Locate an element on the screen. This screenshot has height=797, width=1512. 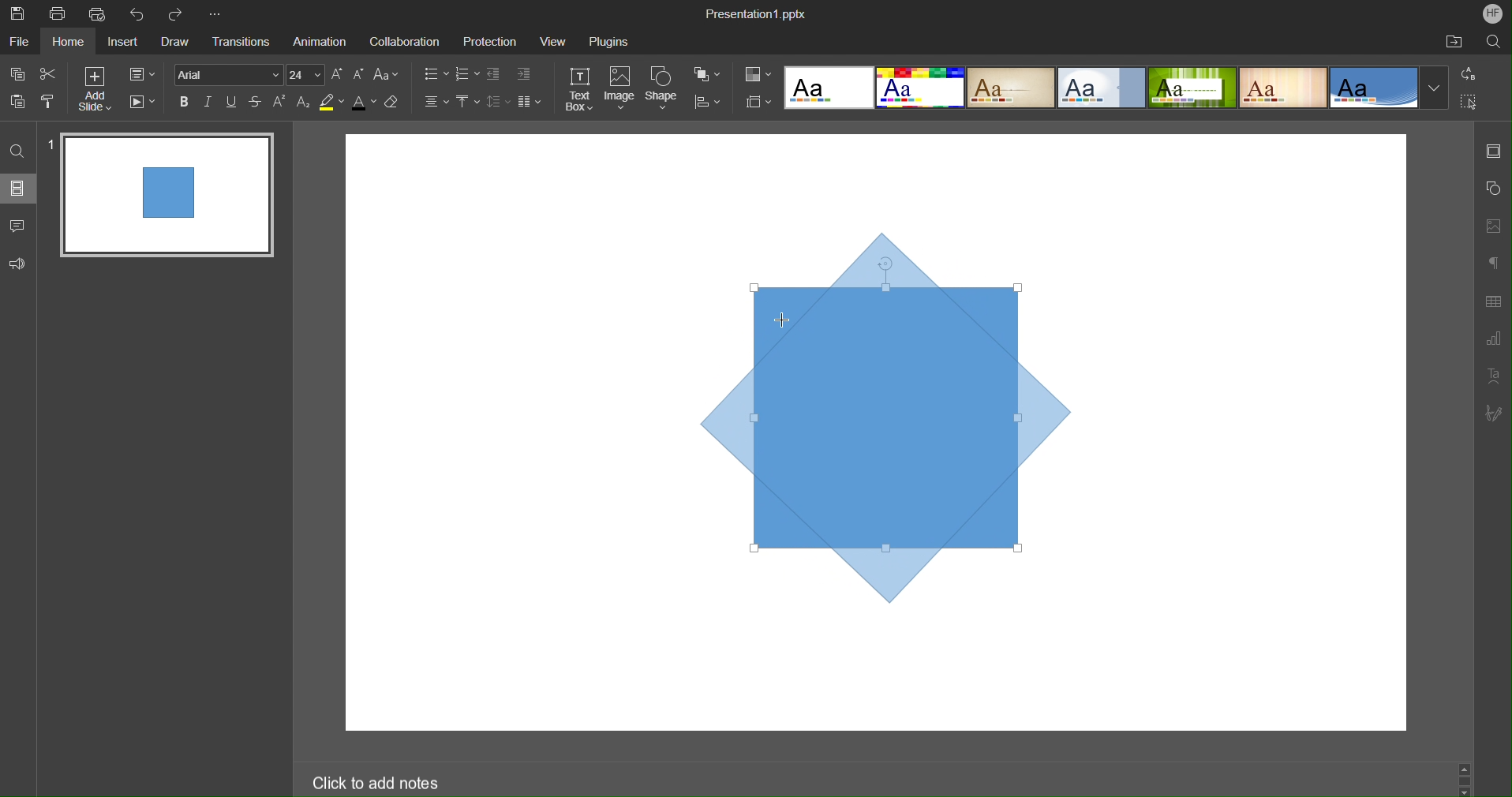
Text Art is located at coordinates (1493, 376).